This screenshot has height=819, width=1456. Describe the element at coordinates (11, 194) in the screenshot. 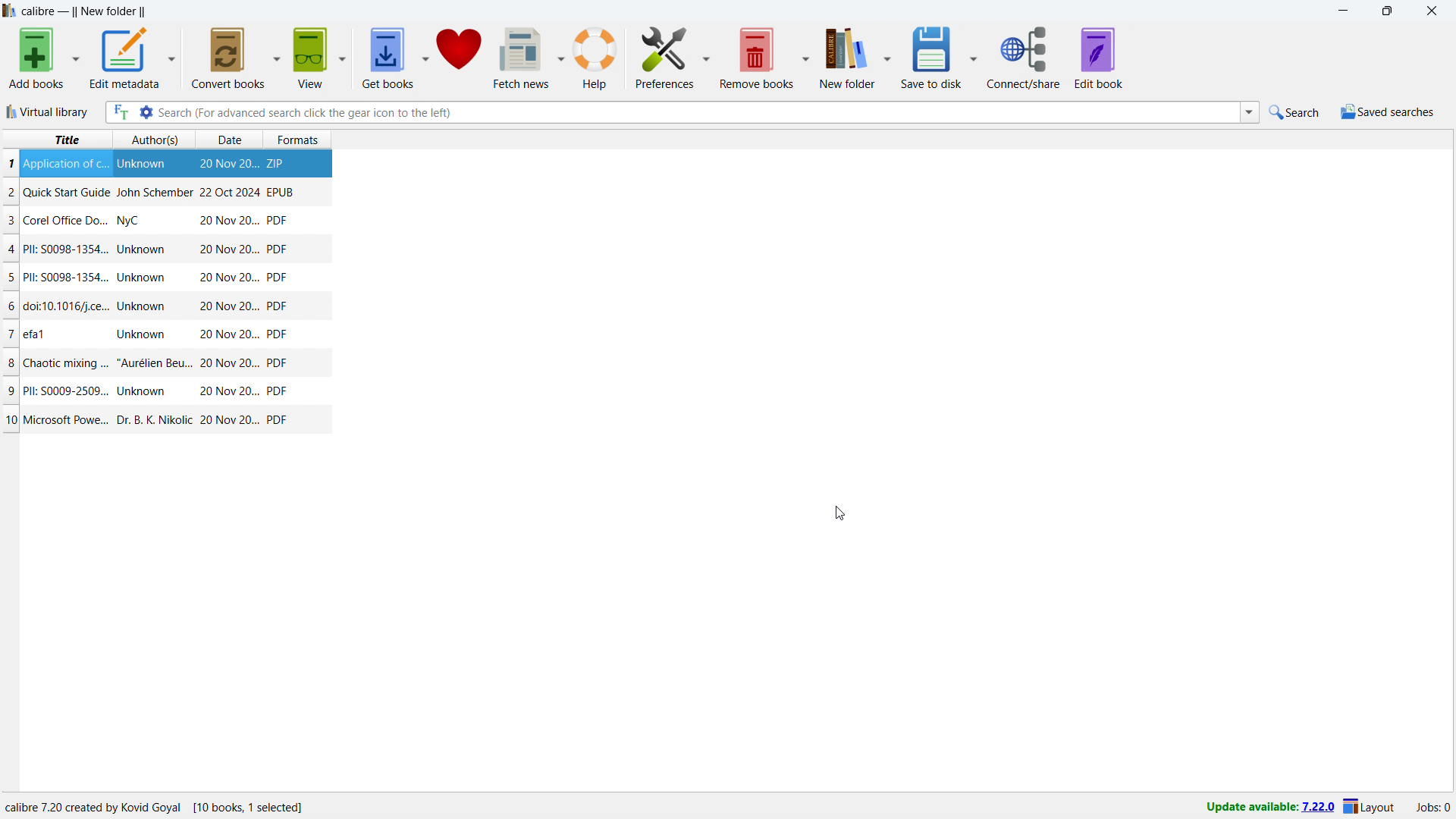

I see `2` at that location.